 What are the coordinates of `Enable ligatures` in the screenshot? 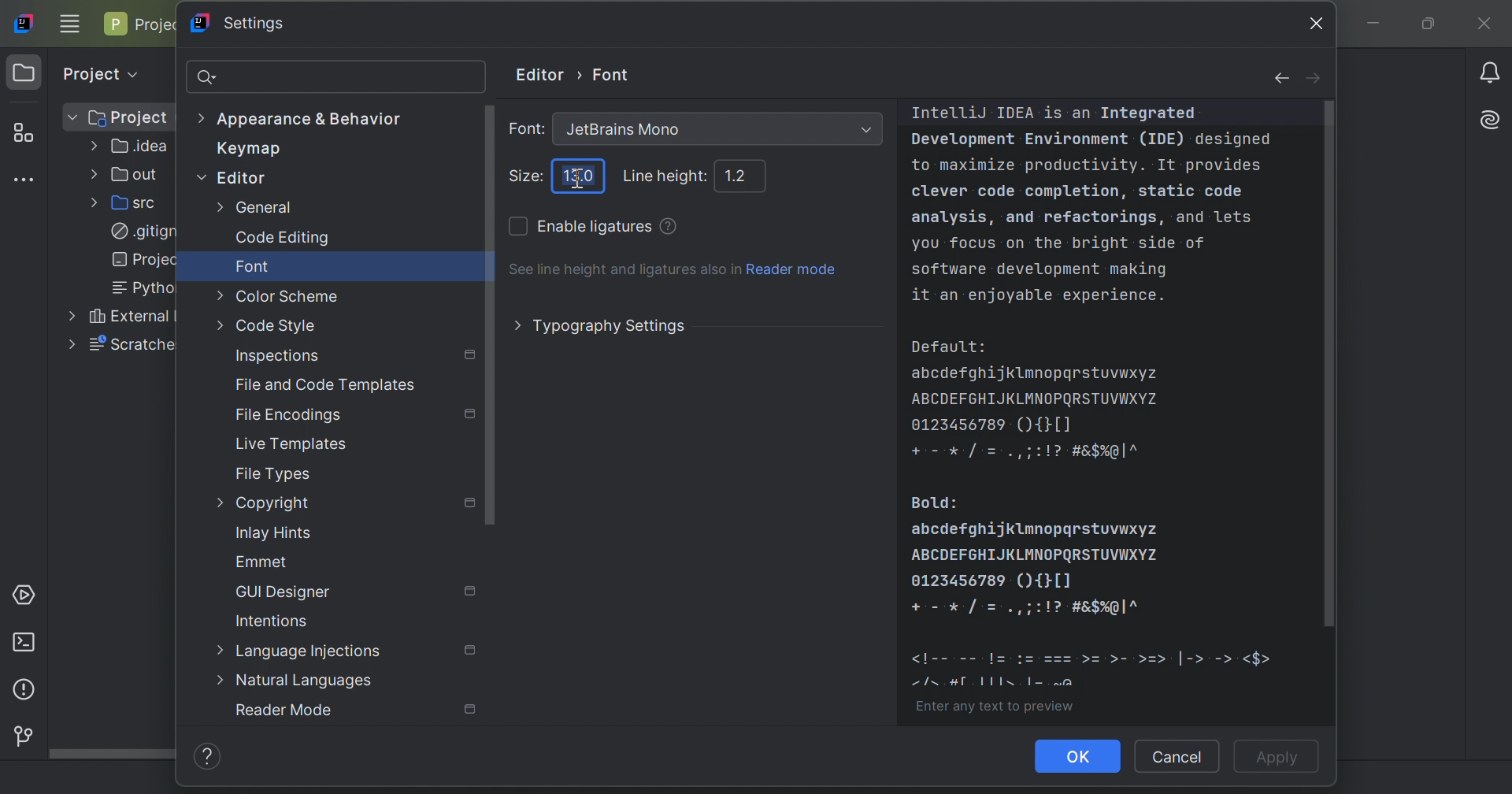 It's located at (596, 227).